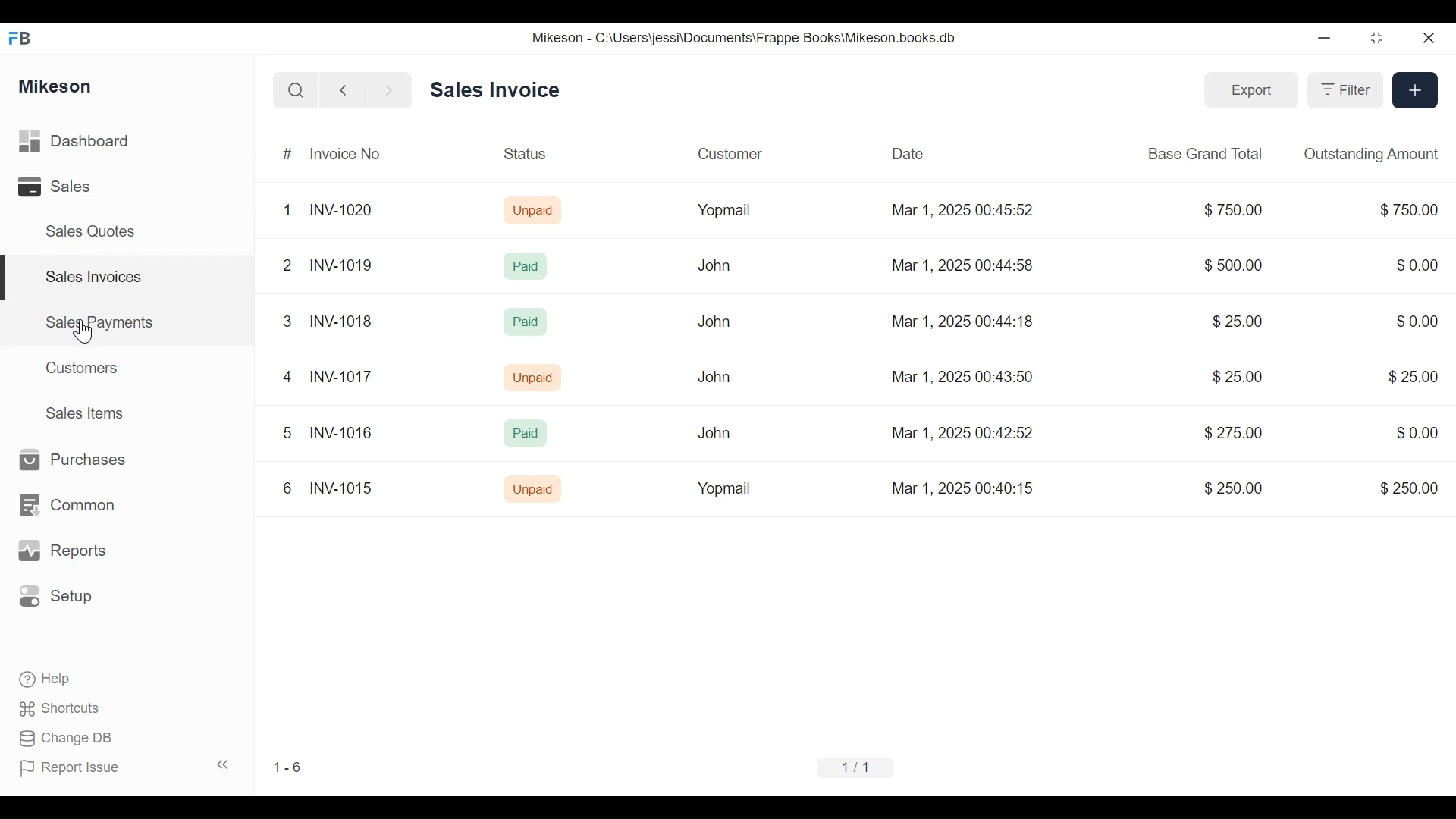  Describe the element at coordinates (24, 36) in the screenshot. I see `FB` at that location.